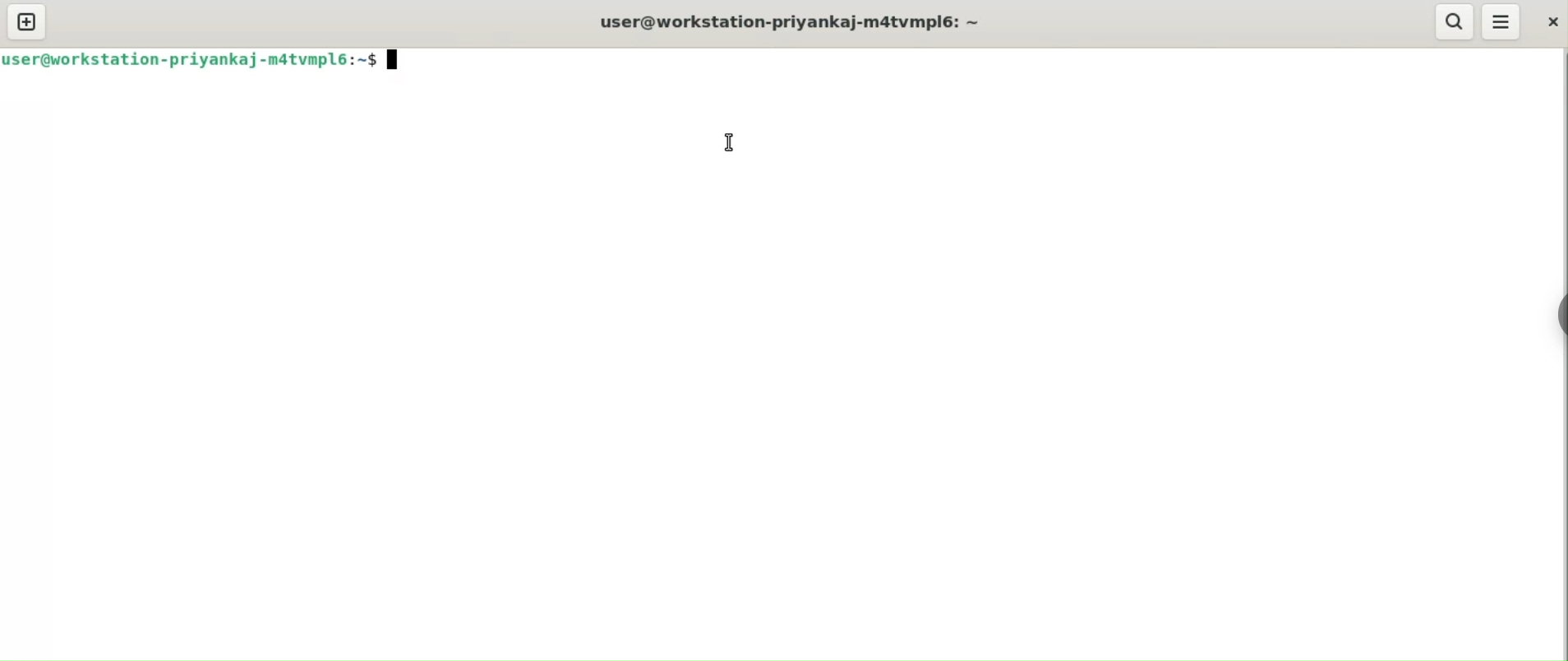  Describe the element at coordinates (786, 22) in the screenshot. I see `user@workstation-priyankaj-m4tvmlp6:~` at that location.